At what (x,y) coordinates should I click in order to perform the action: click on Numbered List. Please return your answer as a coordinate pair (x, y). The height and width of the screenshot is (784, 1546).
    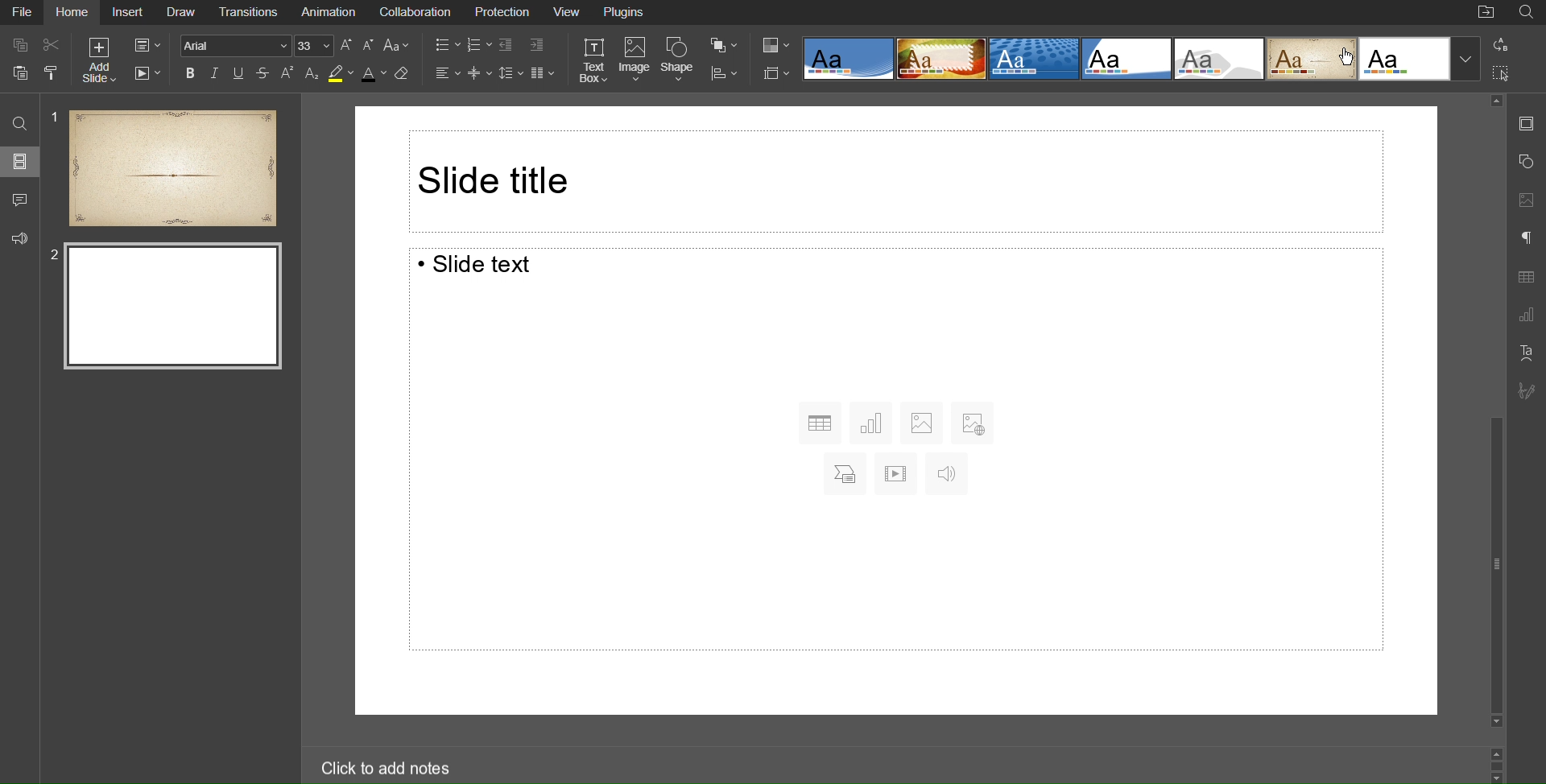
    Looking at the image, I should click on (481, 47).